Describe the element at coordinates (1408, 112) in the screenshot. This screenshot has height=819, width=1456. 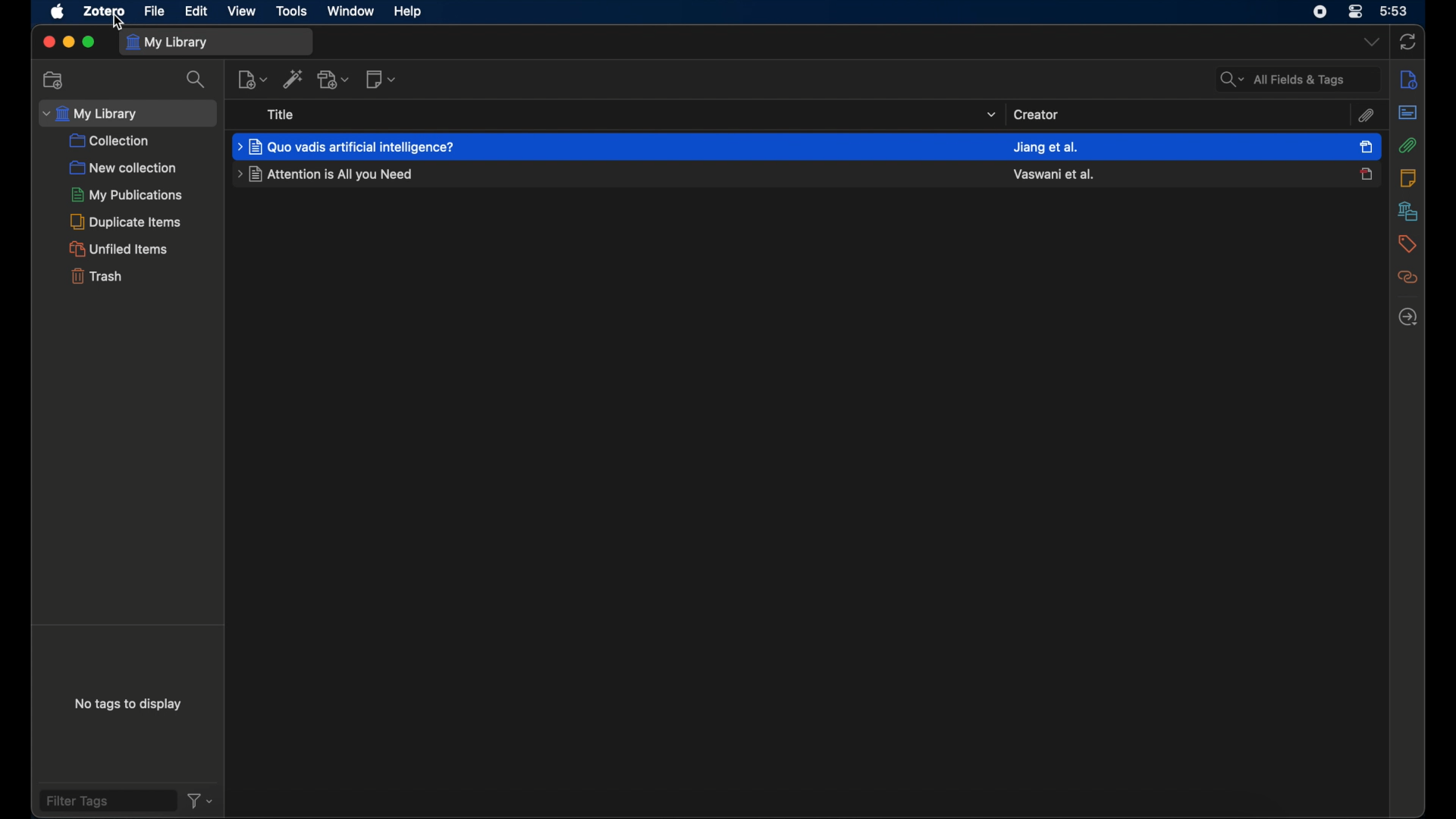
I see `abstract` at that location.